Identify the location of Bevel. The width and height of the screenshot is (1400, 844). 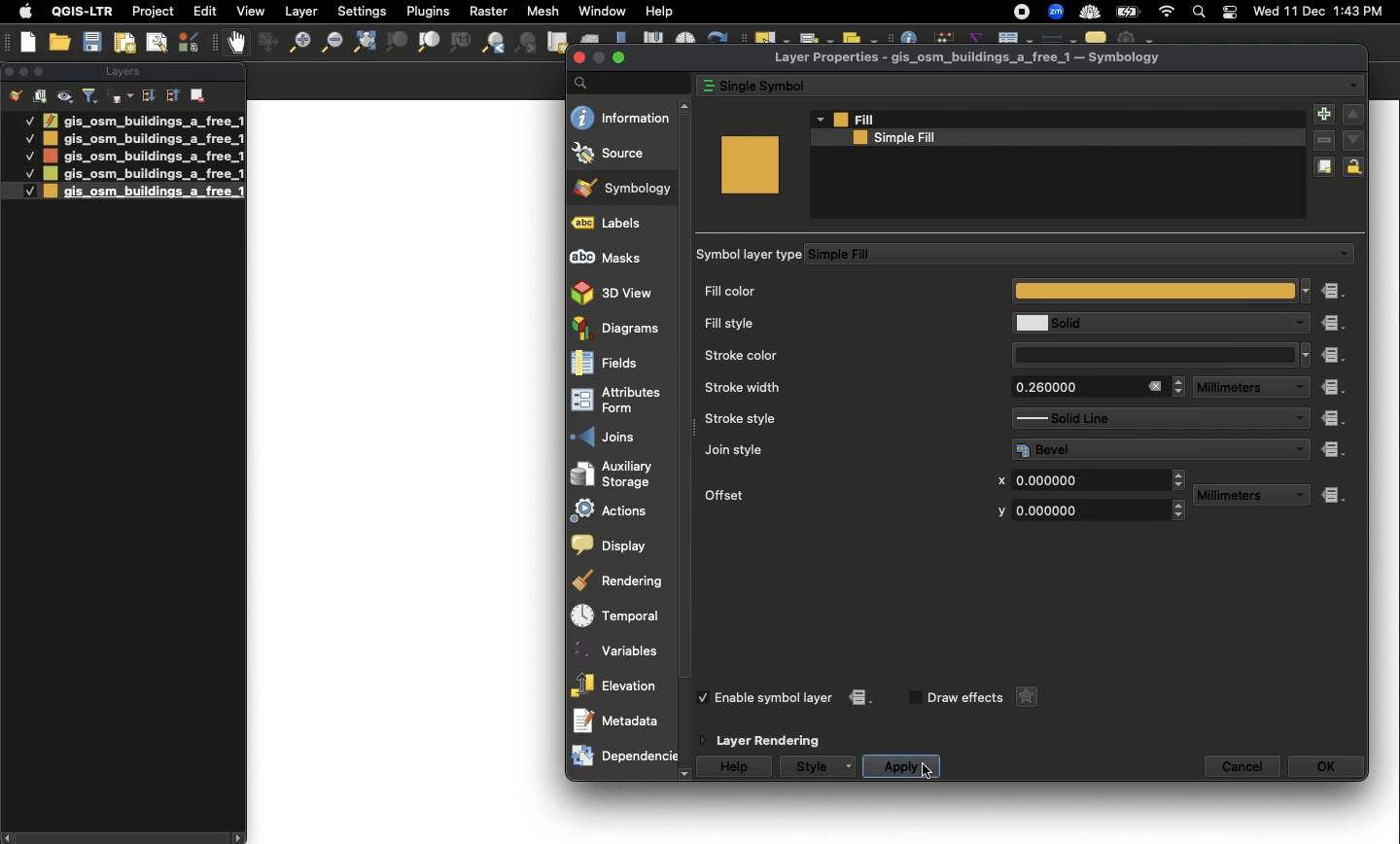
(1147, 449).